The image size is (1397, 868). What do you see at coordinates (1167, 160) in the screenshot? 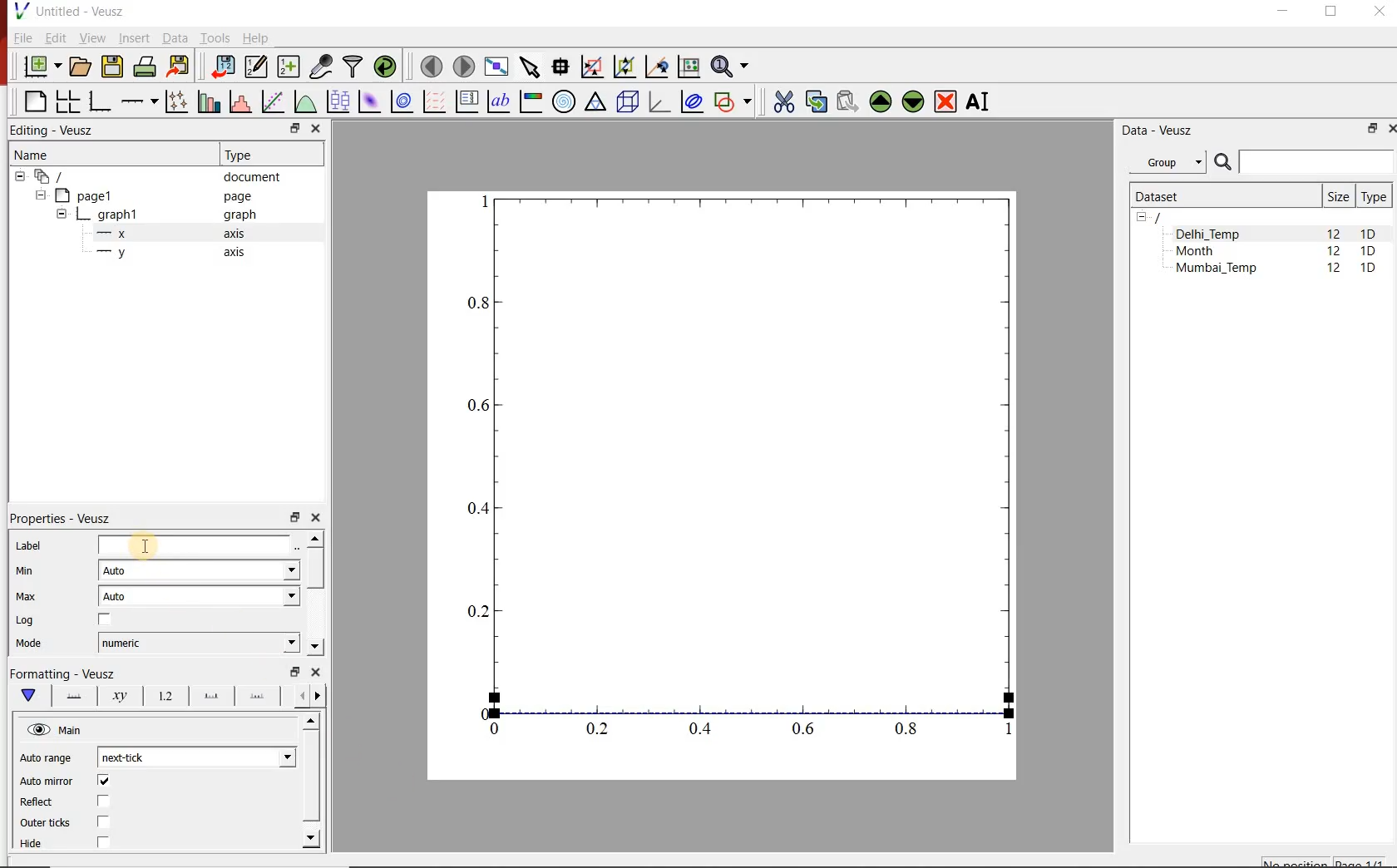
I see `Group` at bounding box center [1167, 160].